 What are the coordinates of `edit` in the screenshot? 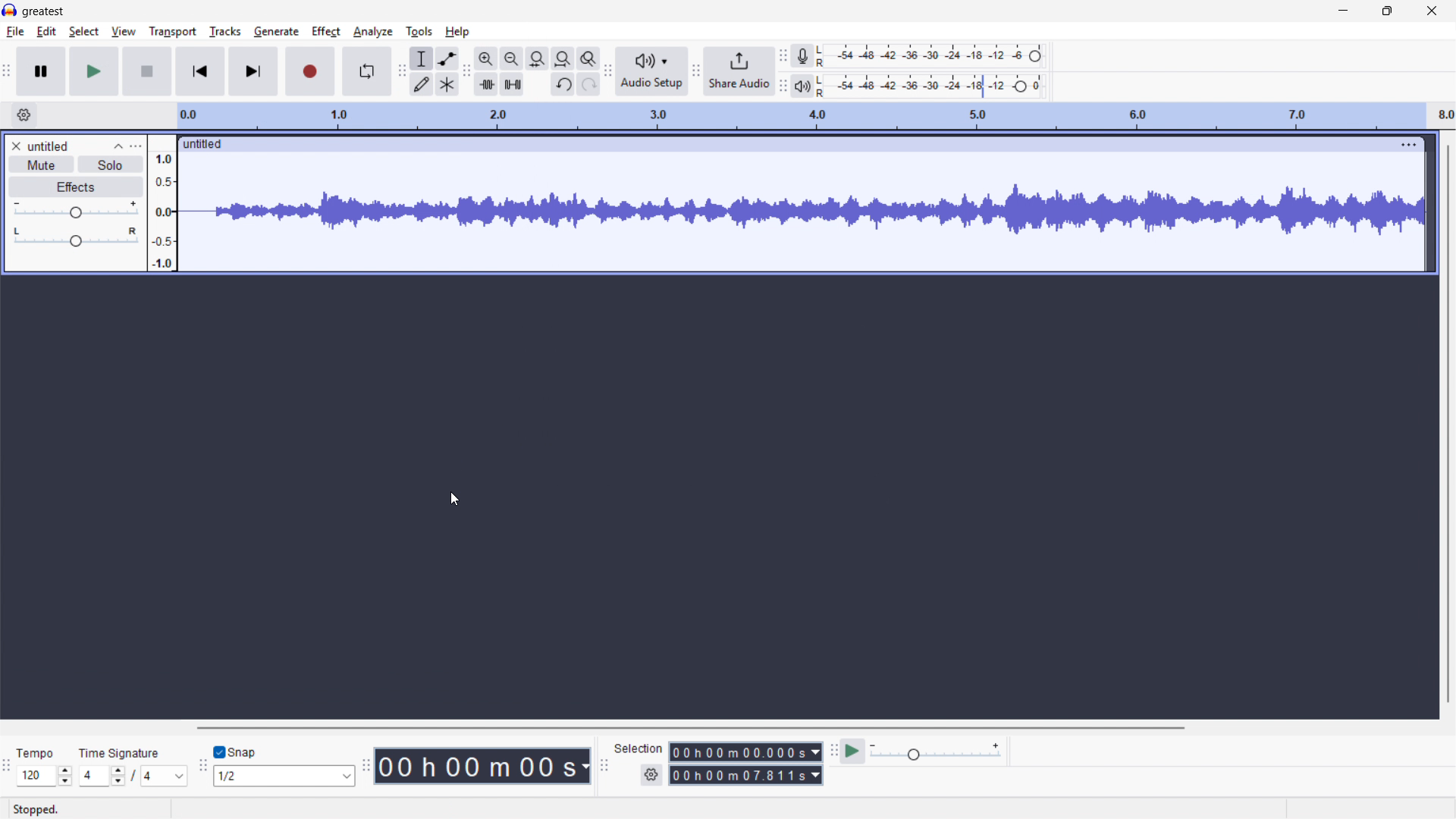 It's located at (47, 32).